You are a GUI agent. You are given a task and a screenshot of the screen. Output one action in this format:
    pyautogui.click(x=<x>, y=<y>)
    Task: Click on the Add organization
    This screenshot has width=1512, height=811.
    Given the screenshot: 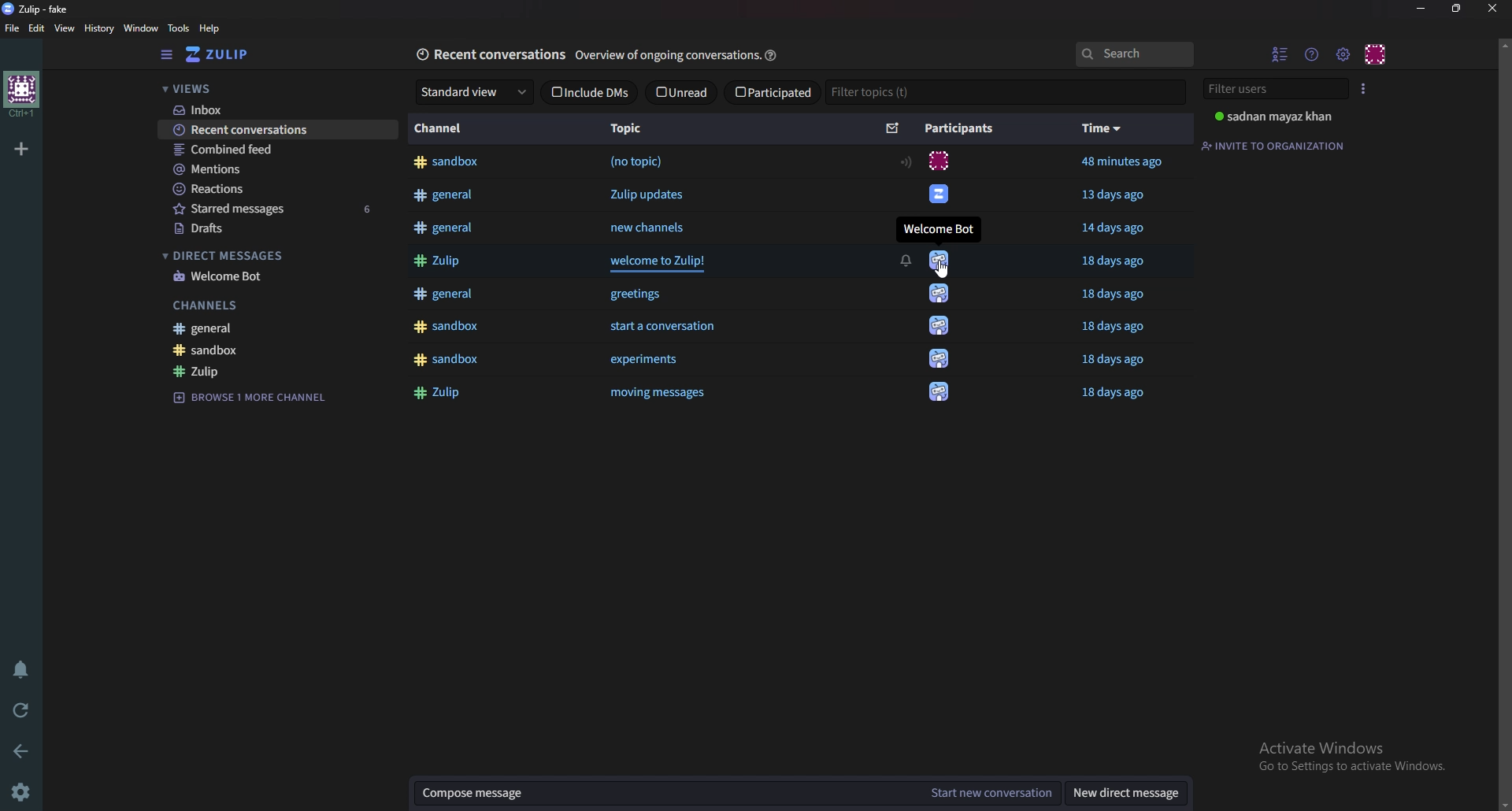 What is the action you would take?
    pyautogui.click(x=21, y=149)
    